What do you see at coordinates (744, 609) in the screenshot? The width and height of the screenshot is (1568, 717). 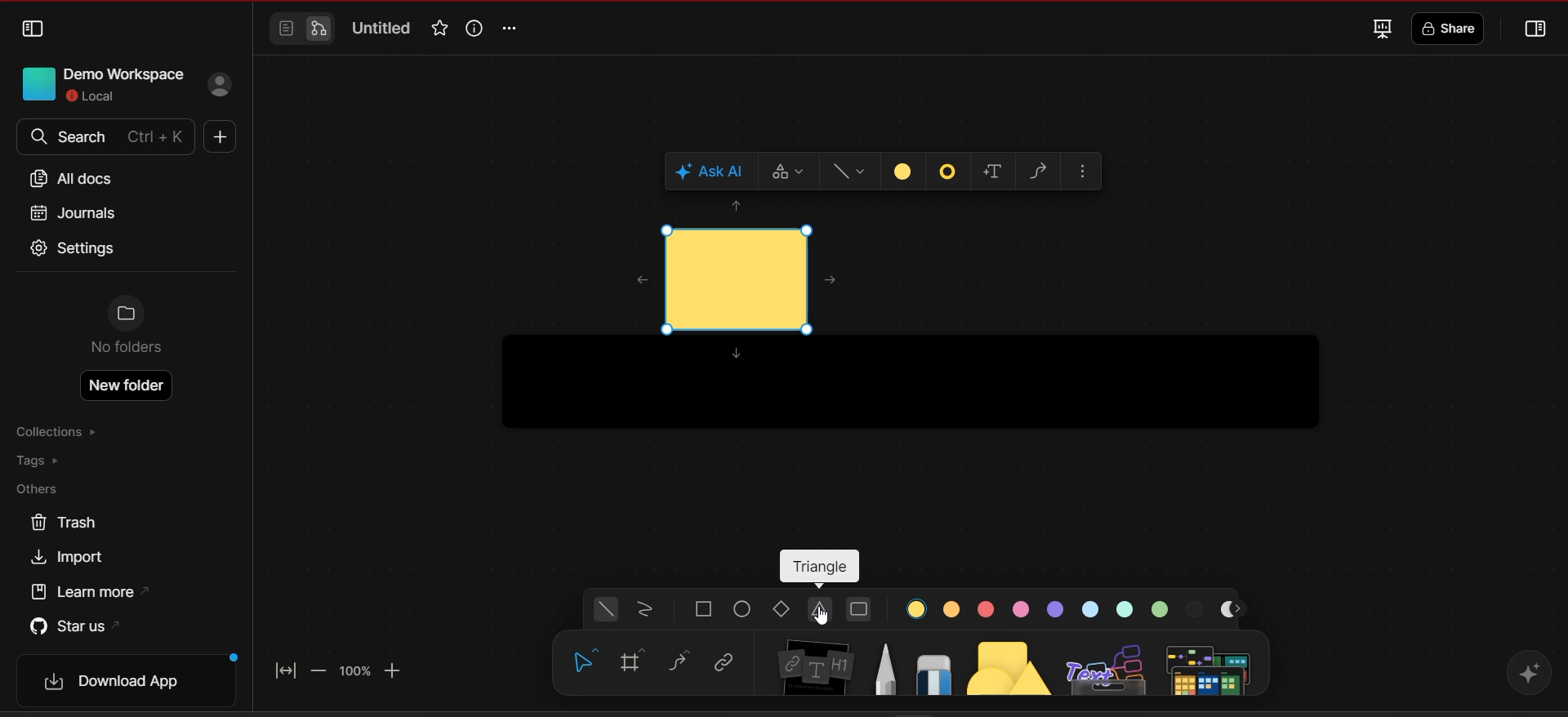 I see `ellipse` at bounding box center [744, 609].